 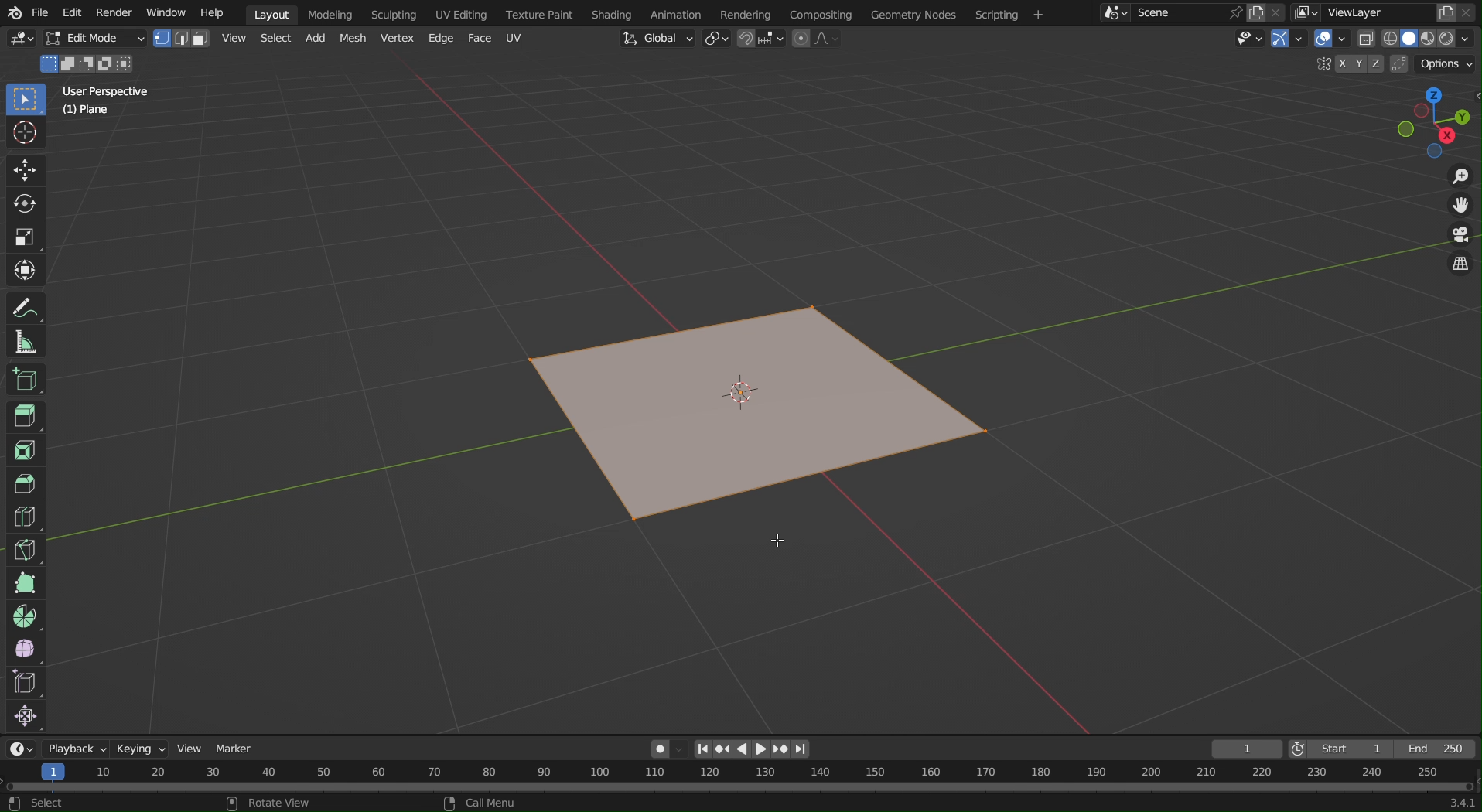 I want to click on Cal Menu, so click(x=477, y=803).